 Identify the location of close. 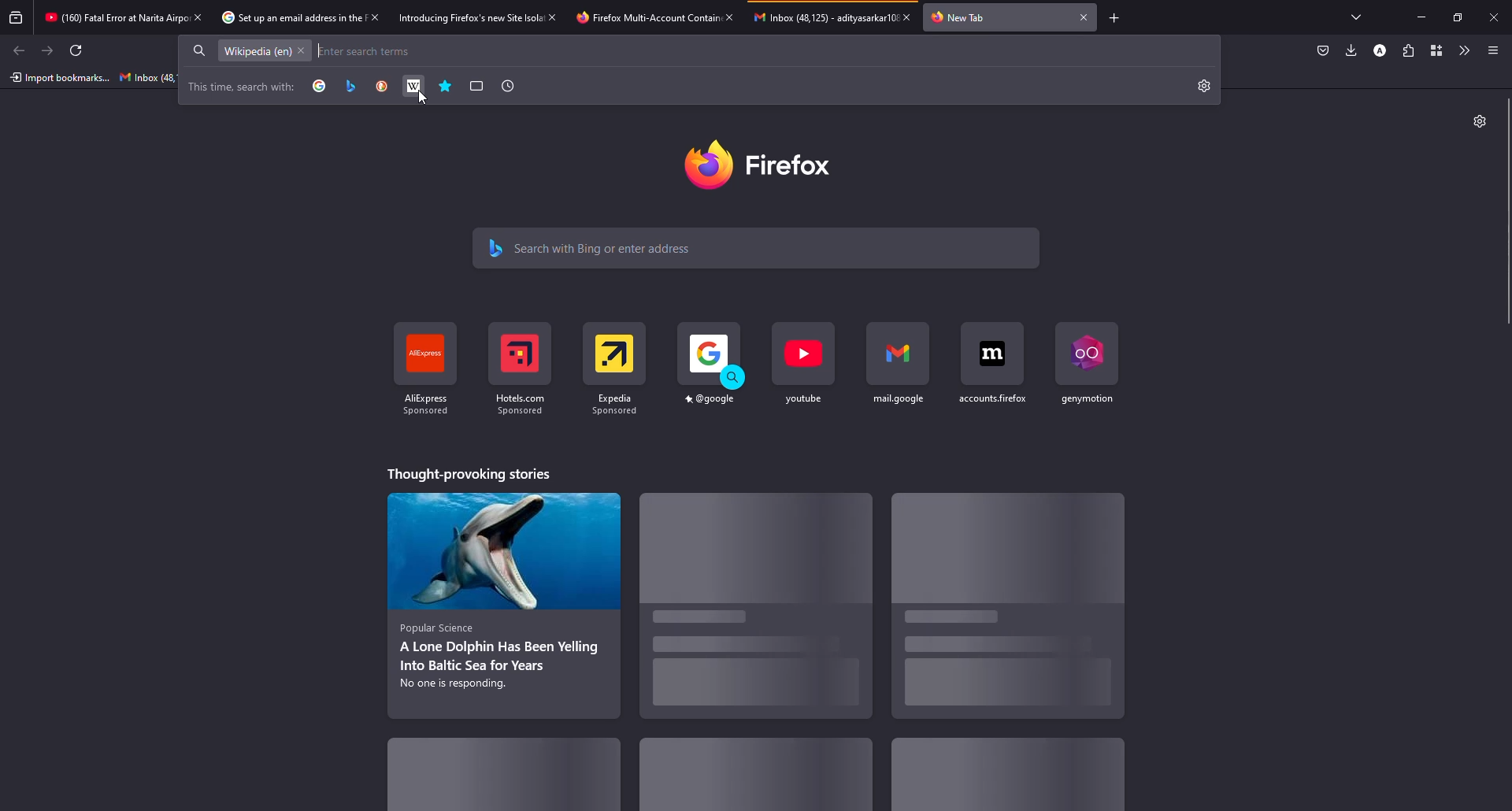
(552, 17).